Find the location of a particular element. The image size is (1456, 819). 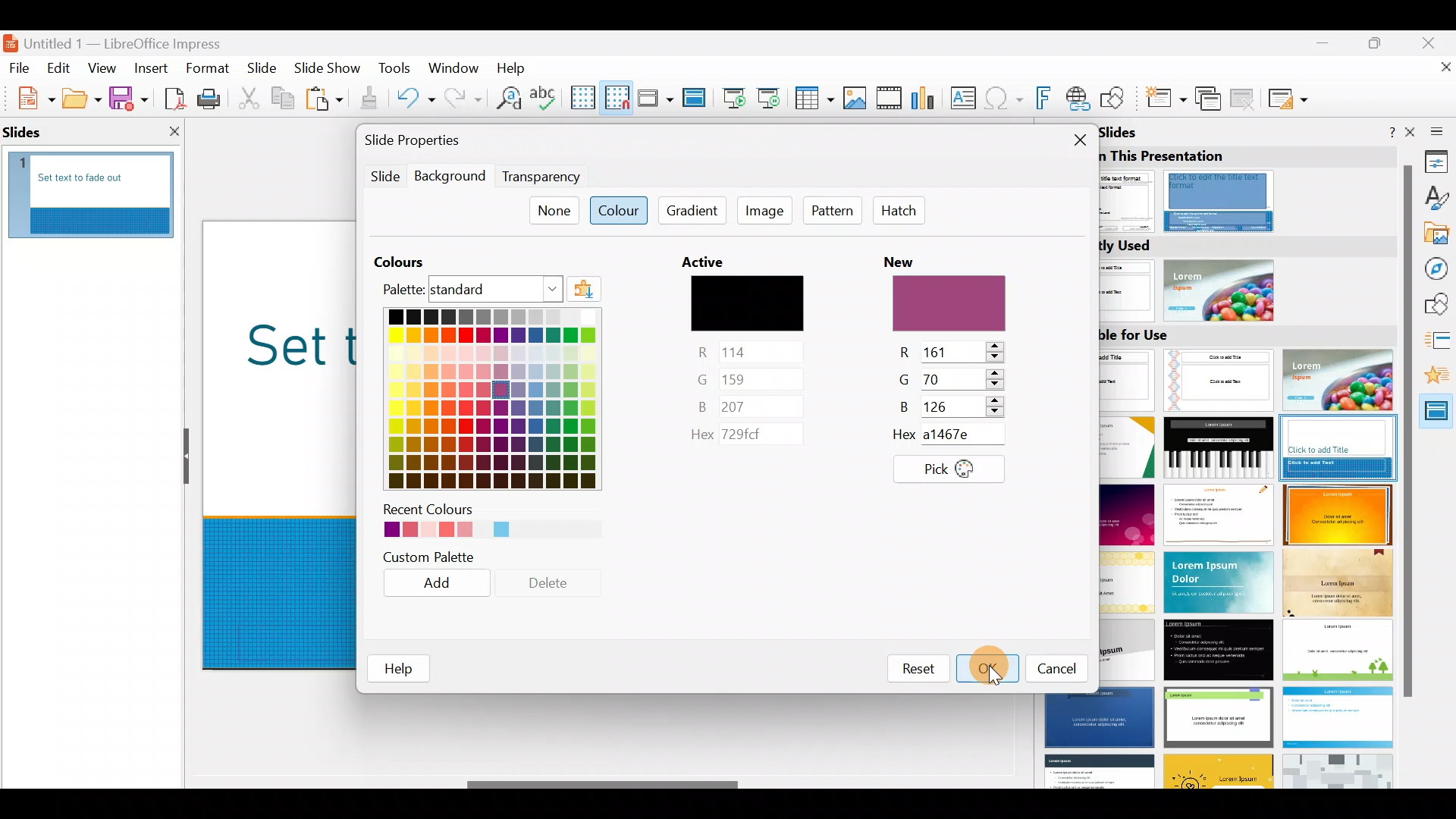

Start from first slide is located at coordinates (734, 96).